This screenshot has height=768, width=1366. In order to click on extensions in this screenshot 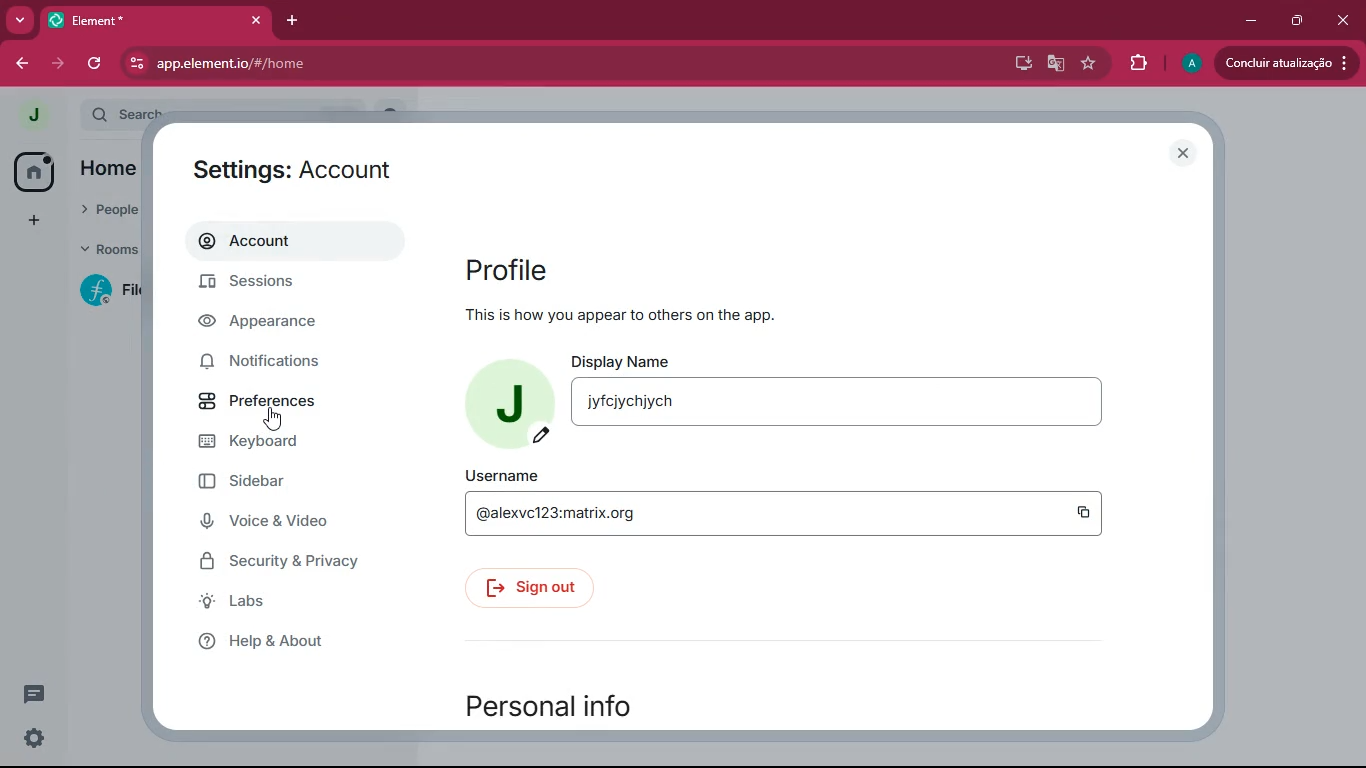, I will do `click(1140, 63)`.